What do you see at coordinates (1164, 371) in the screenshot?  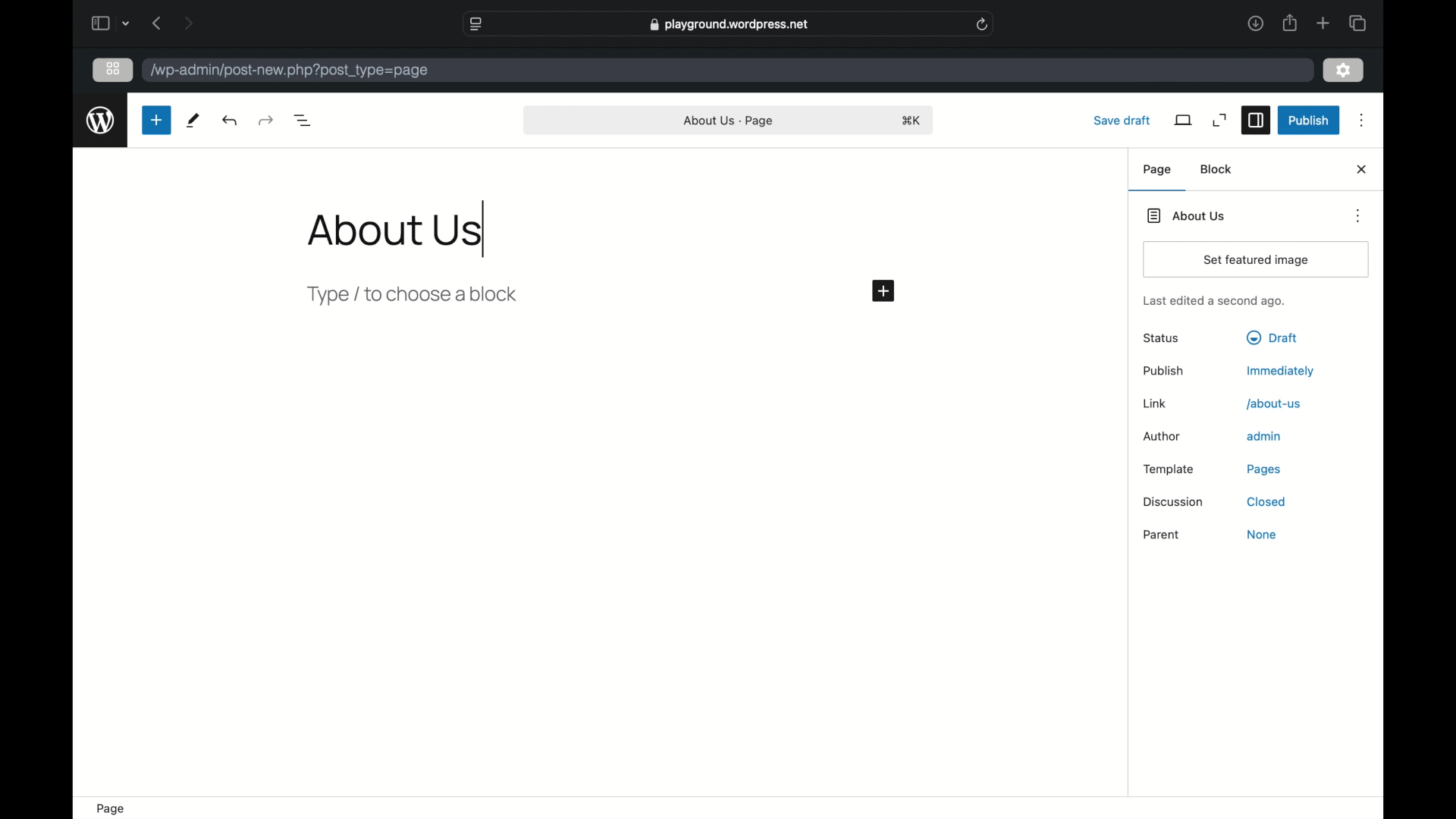 I see `publish` at bounding box center [1164, 371].